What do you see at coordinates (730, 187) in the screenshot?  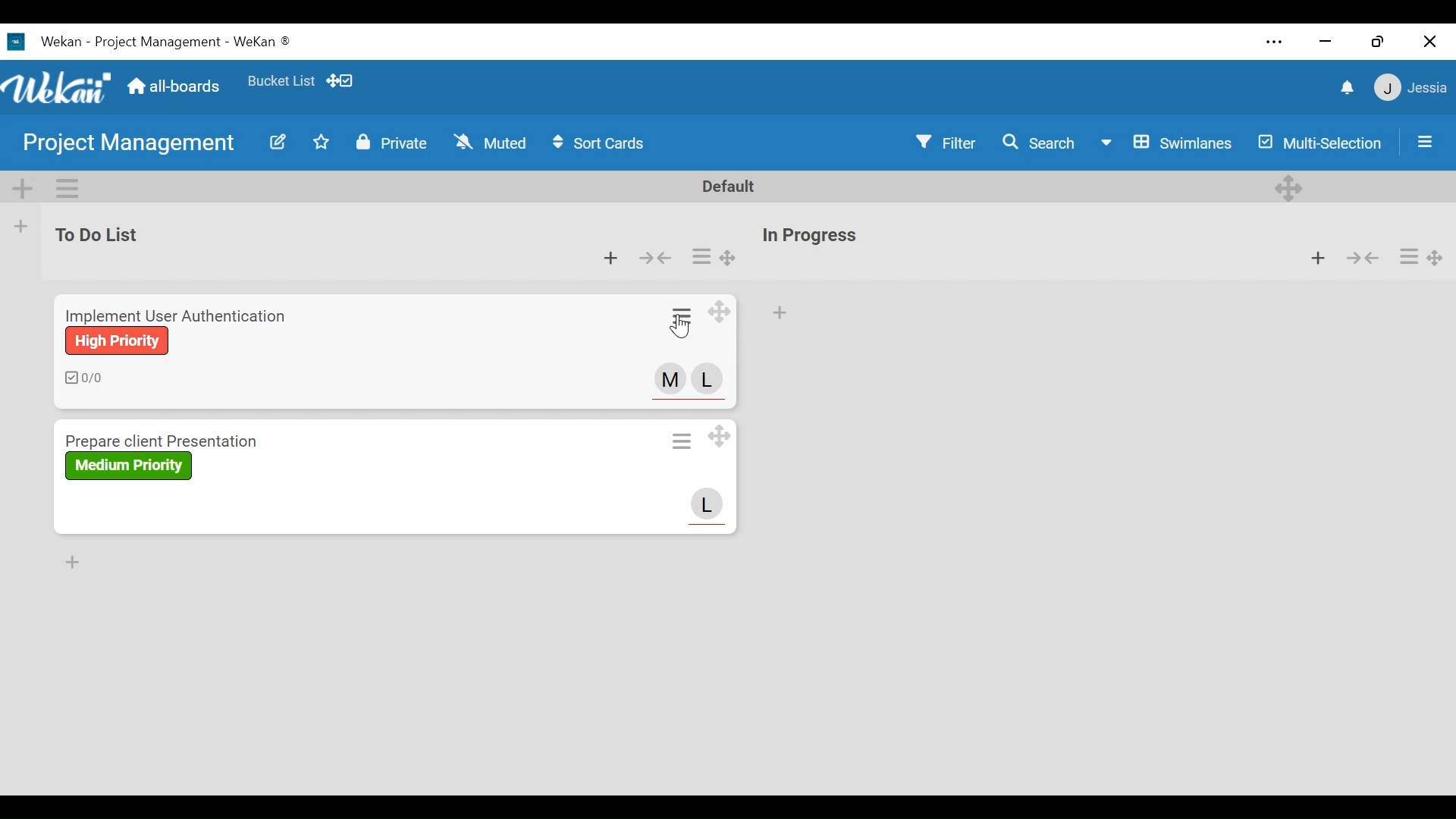 I see `Default` at bounding box center [730, 187].